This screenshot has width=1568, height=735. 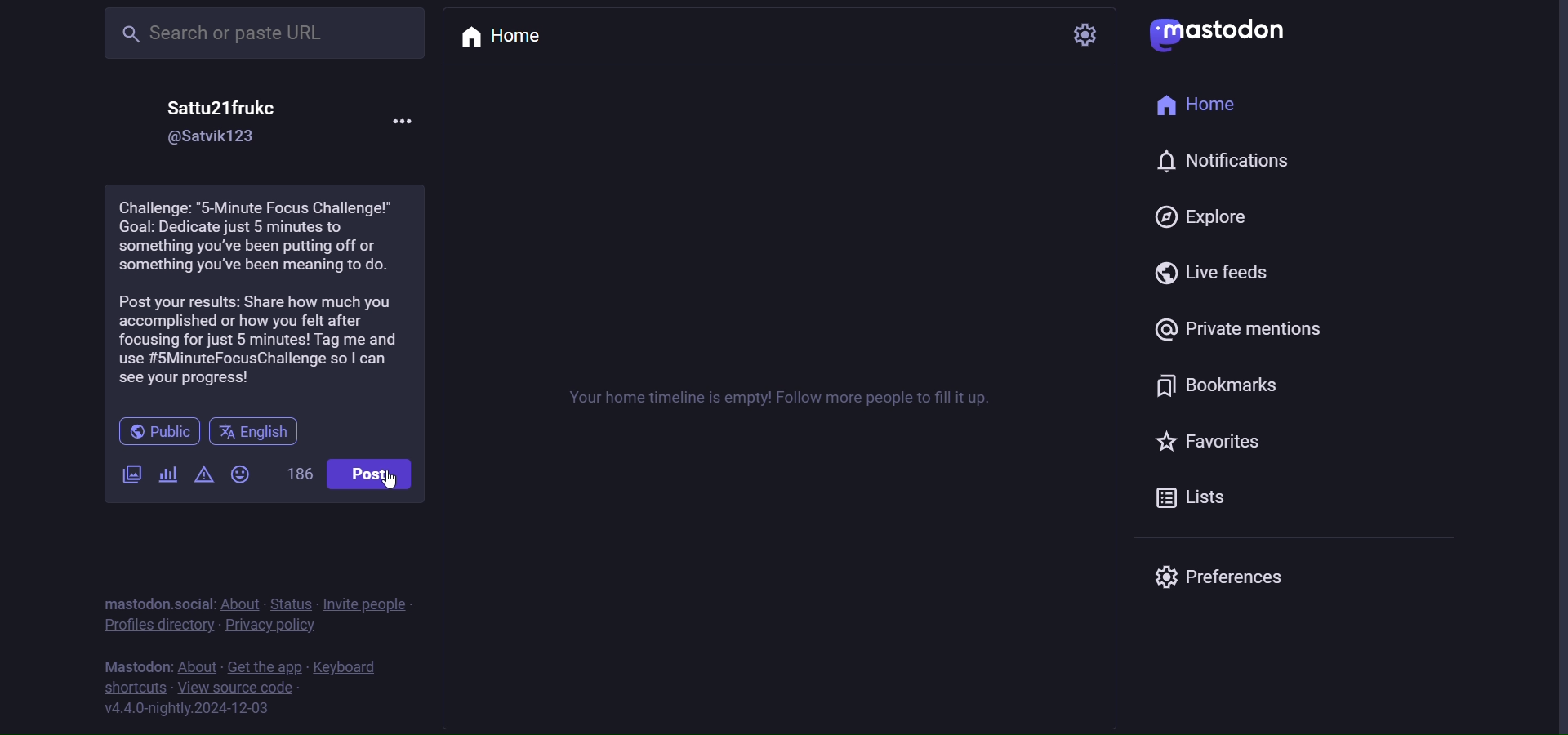 I want to click on privacy policy, so click(x=272, y=627).